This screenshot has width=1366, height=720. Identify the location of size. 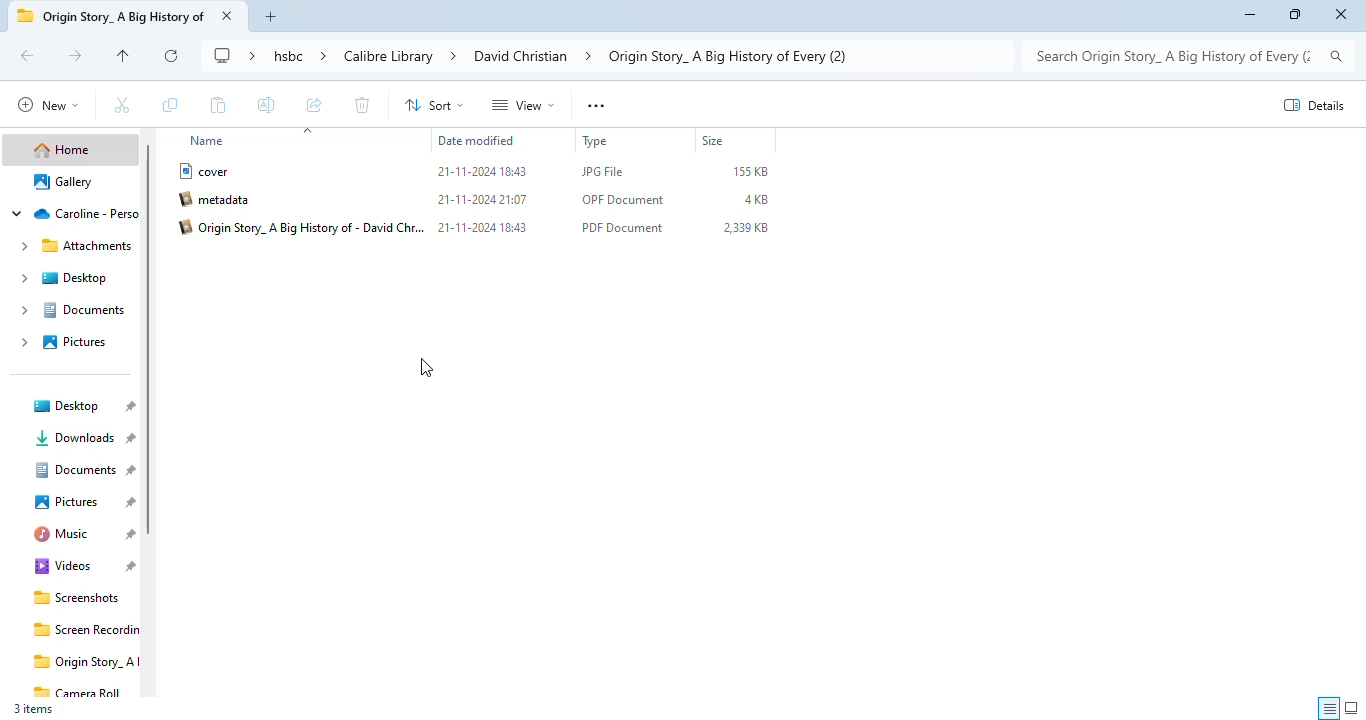
(756, 200).